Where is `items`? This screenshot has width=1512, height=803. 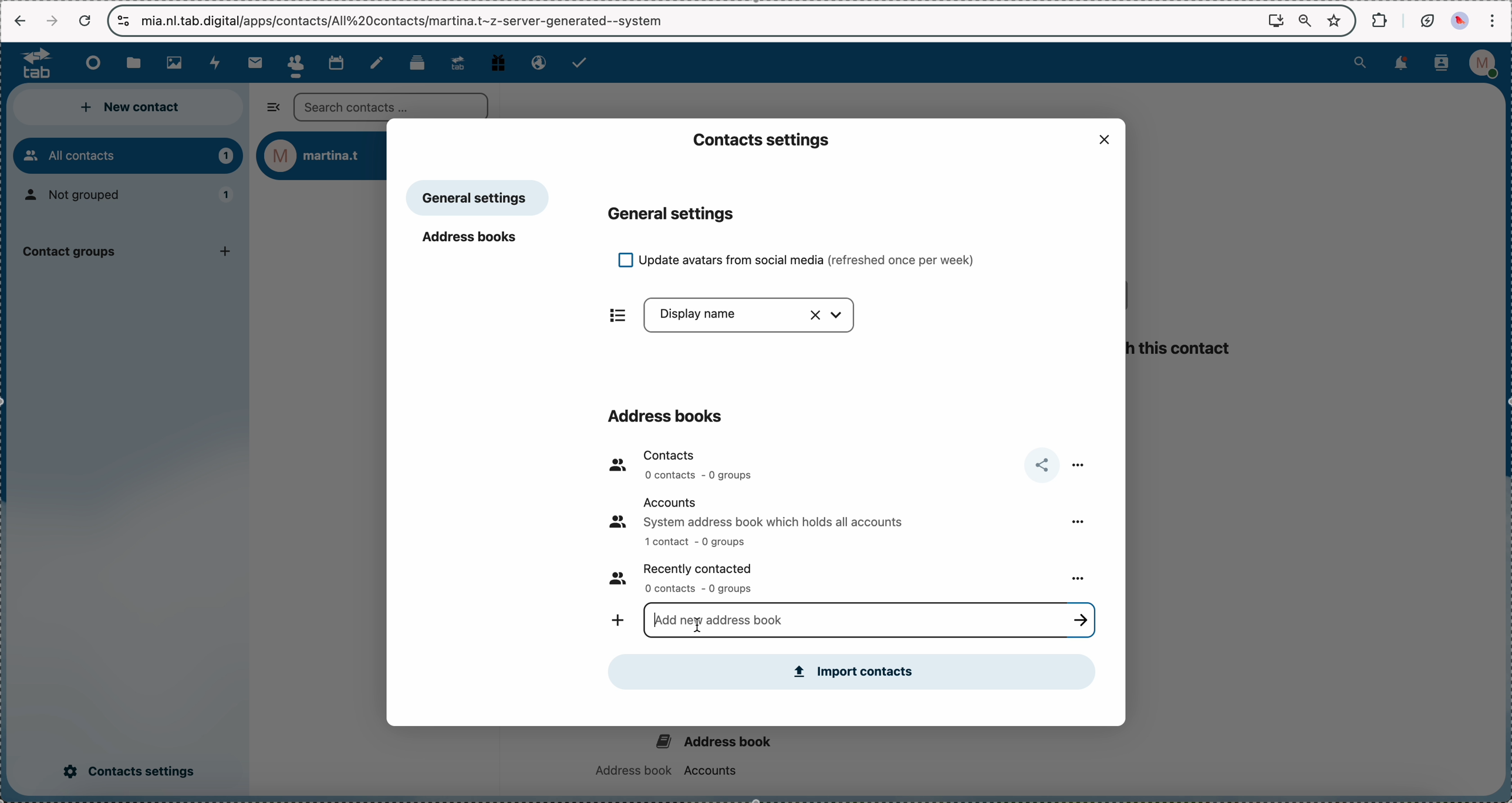 items is located at coordinates (610, 315).